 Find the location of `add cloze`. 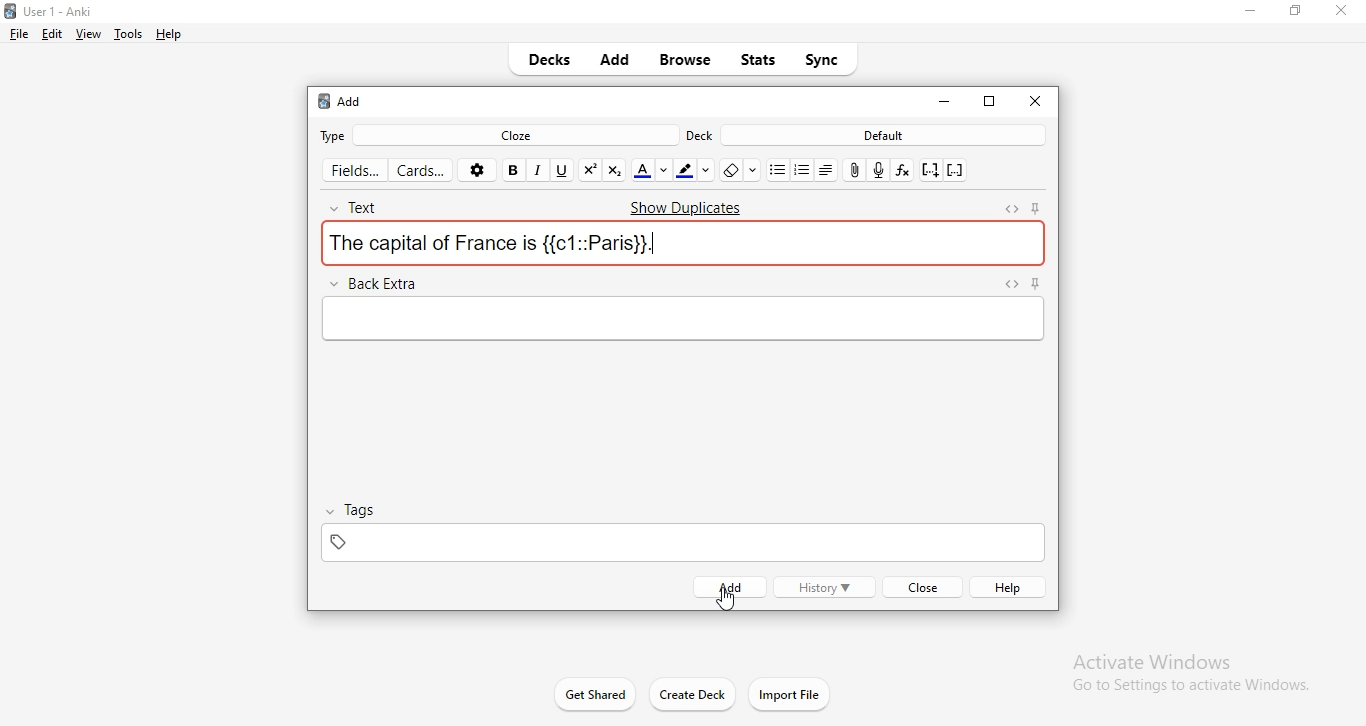

add cloze is located at coordinates (928, 172).